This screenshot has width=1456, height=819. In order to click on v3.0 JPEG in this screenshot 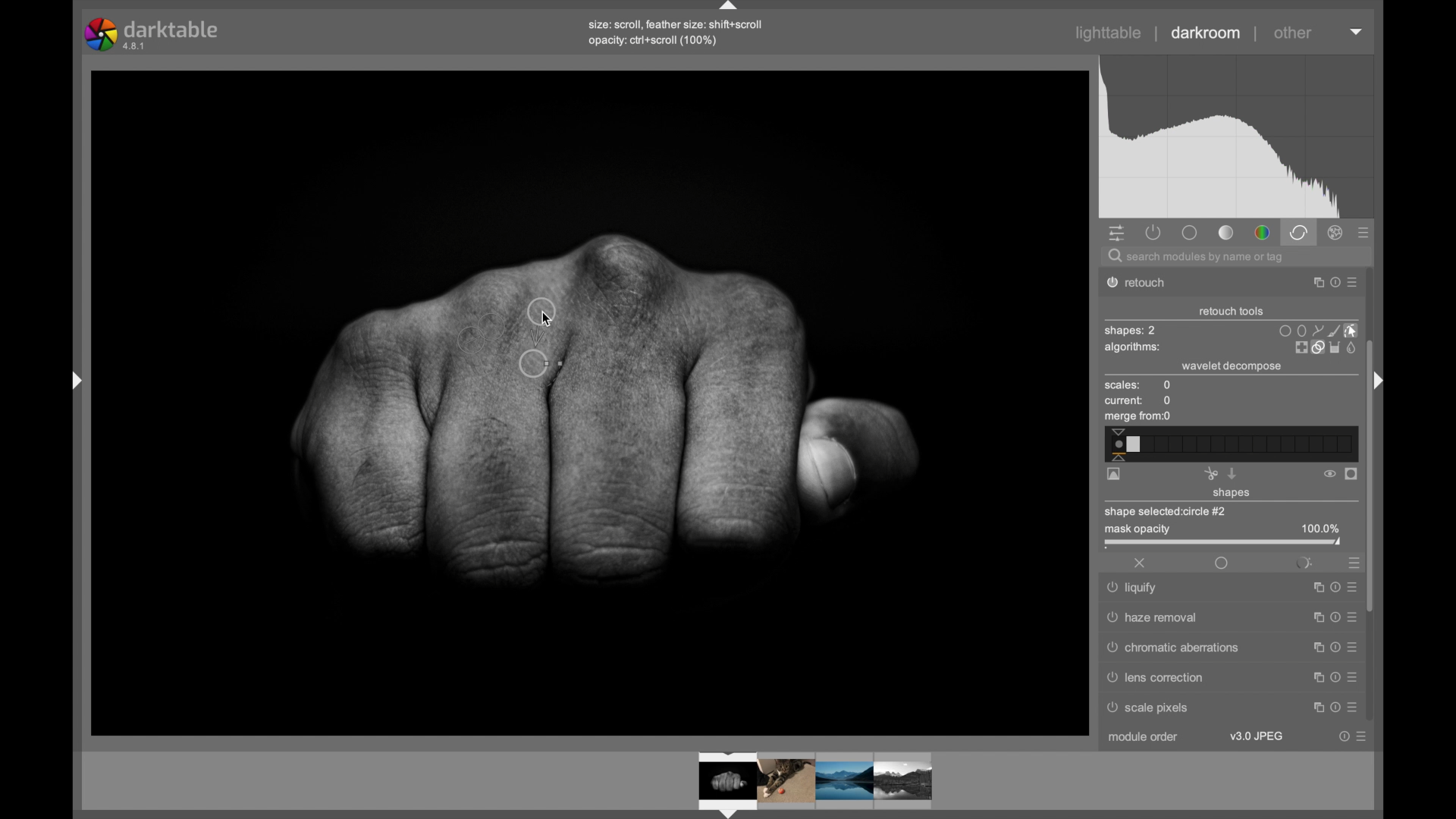, I will do `click(1257, 736)`.